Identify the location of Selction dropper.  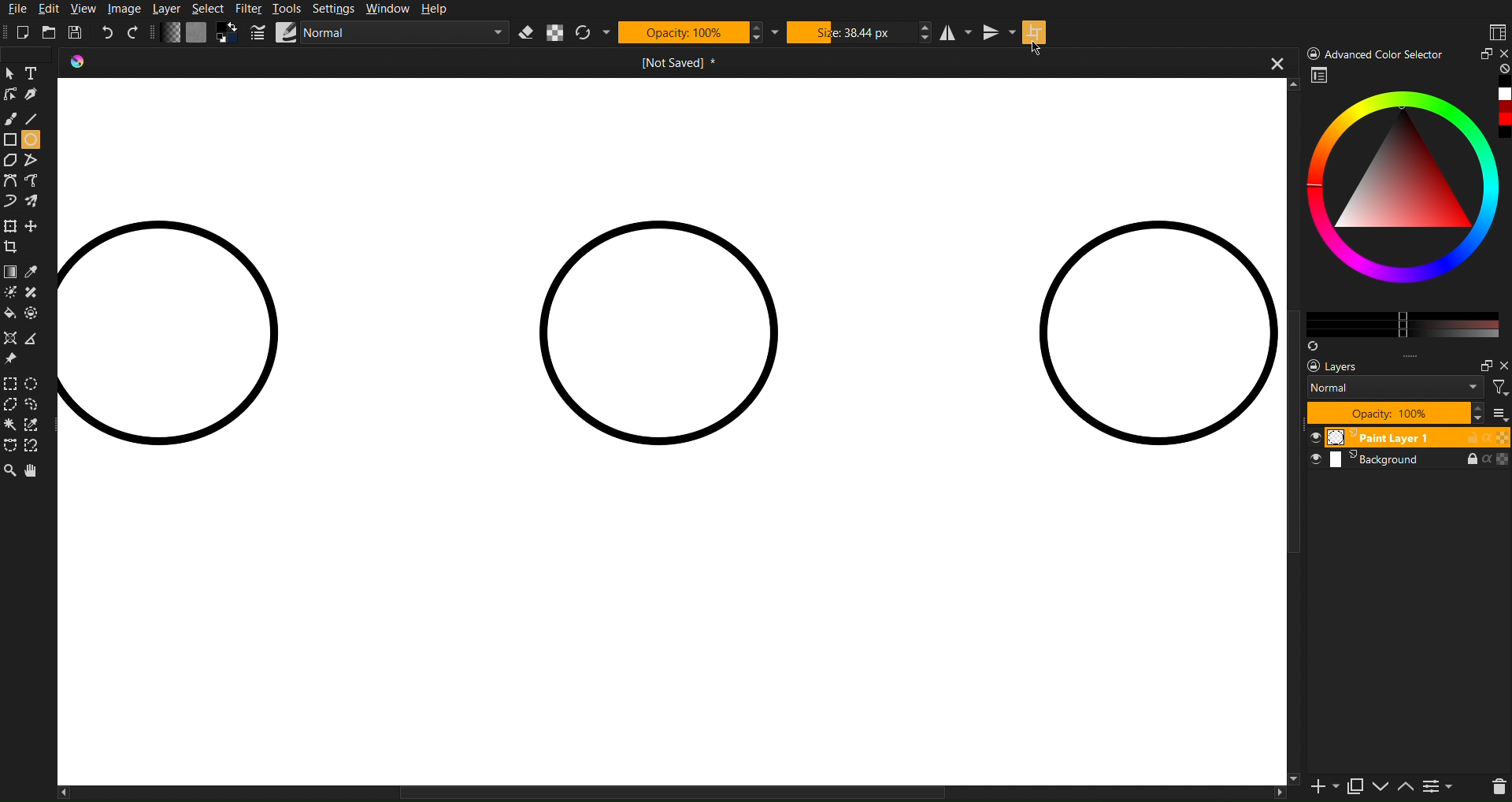
(35, 426).